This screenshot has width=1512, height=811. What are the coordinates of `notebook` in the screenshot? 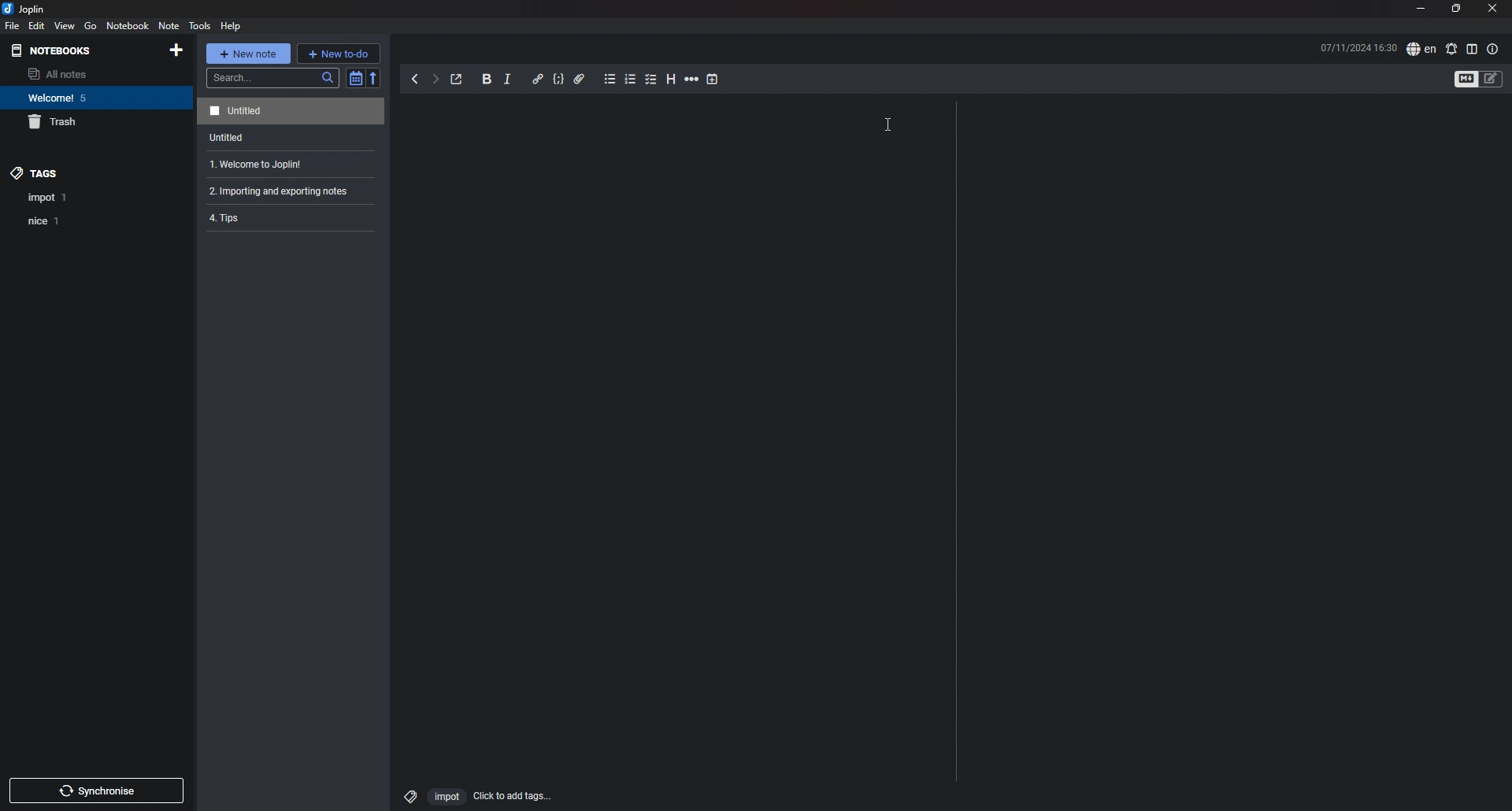 It's located at (128, 26).